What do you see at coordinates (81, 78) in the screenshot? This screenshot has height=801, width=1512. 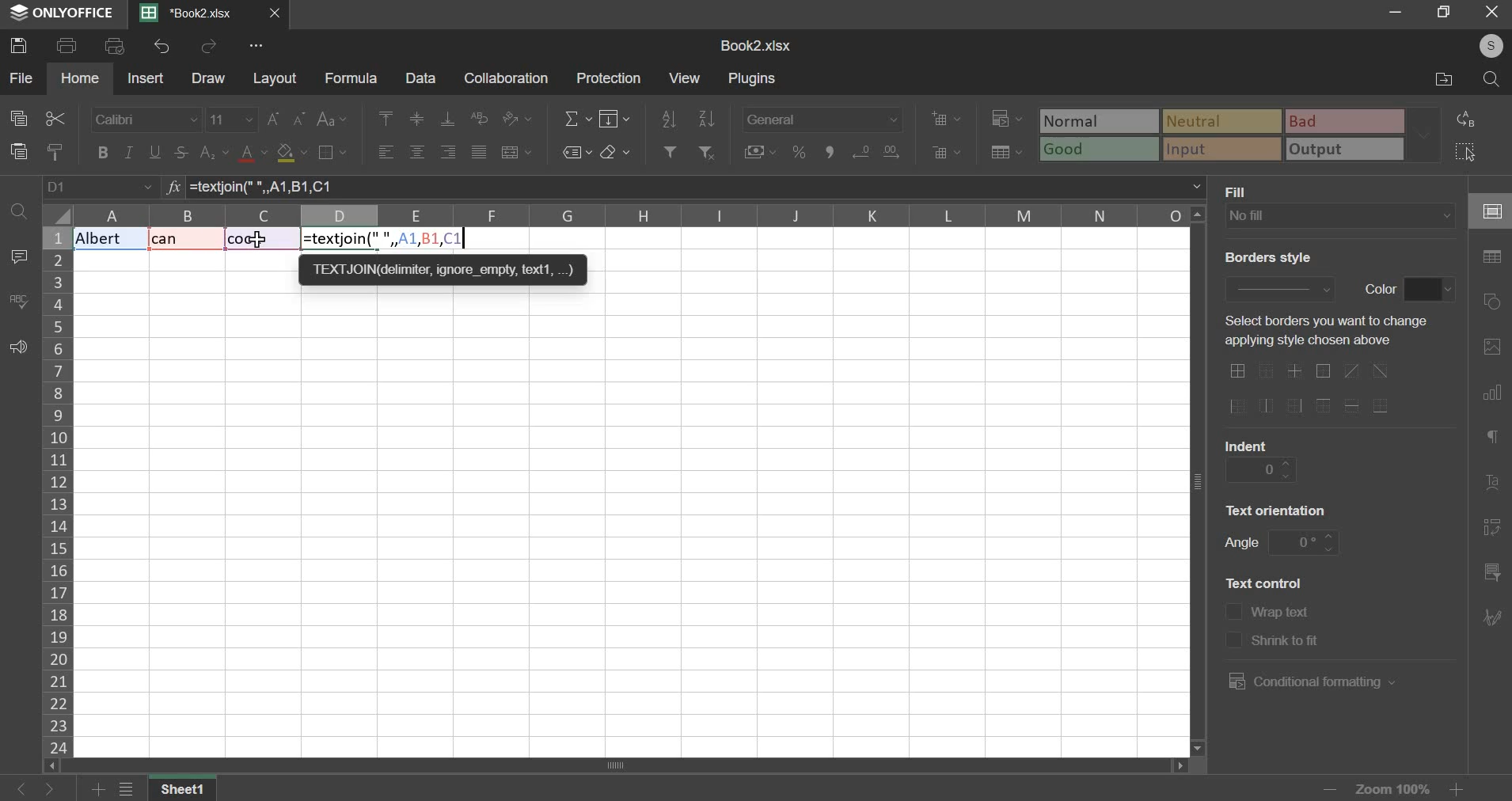 I see `home` at bounding box center [81, 78].